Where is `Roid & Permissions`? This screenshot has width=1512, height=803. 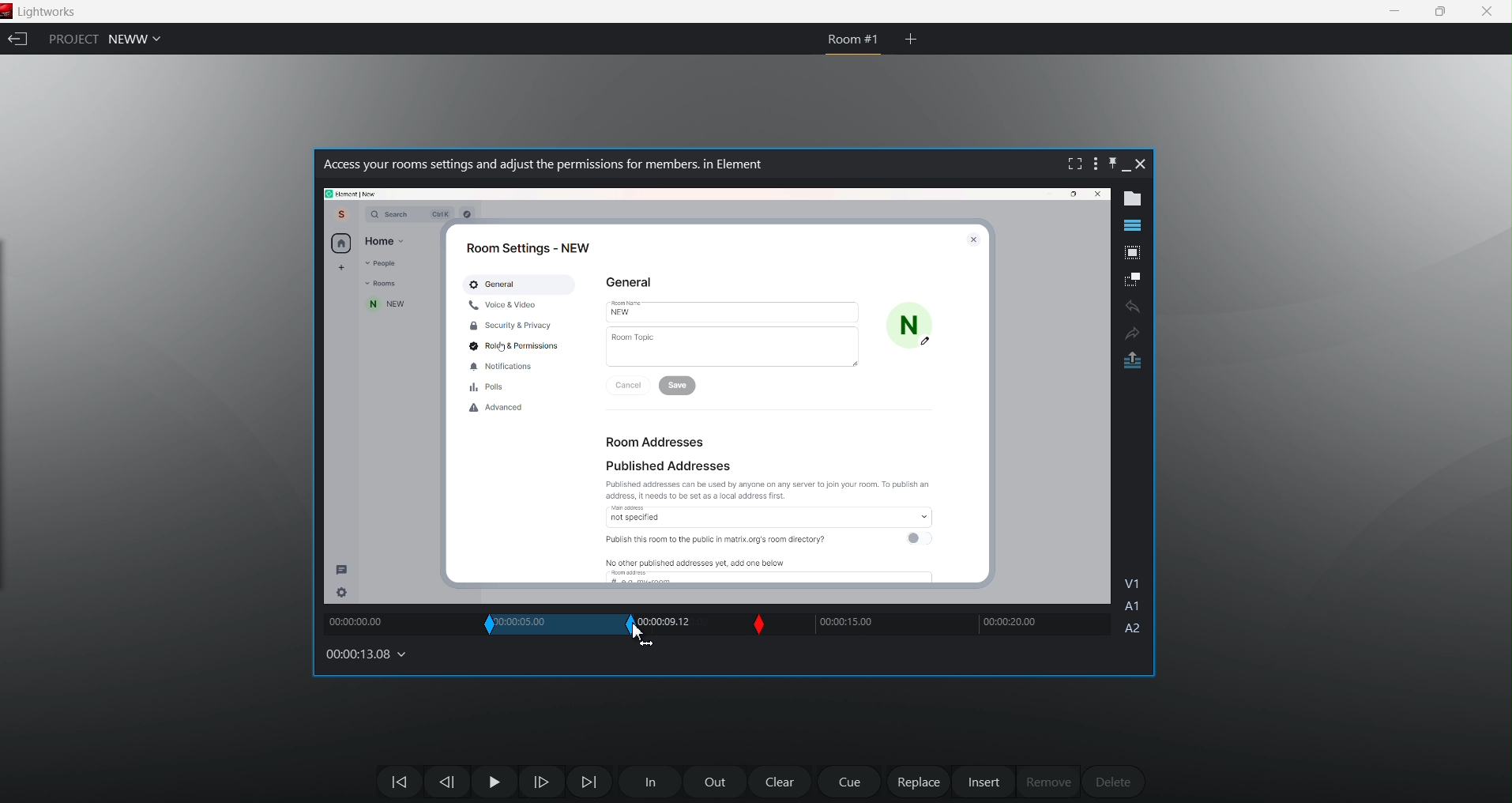
Roid & Permissions is located at coordinates (517, 345).